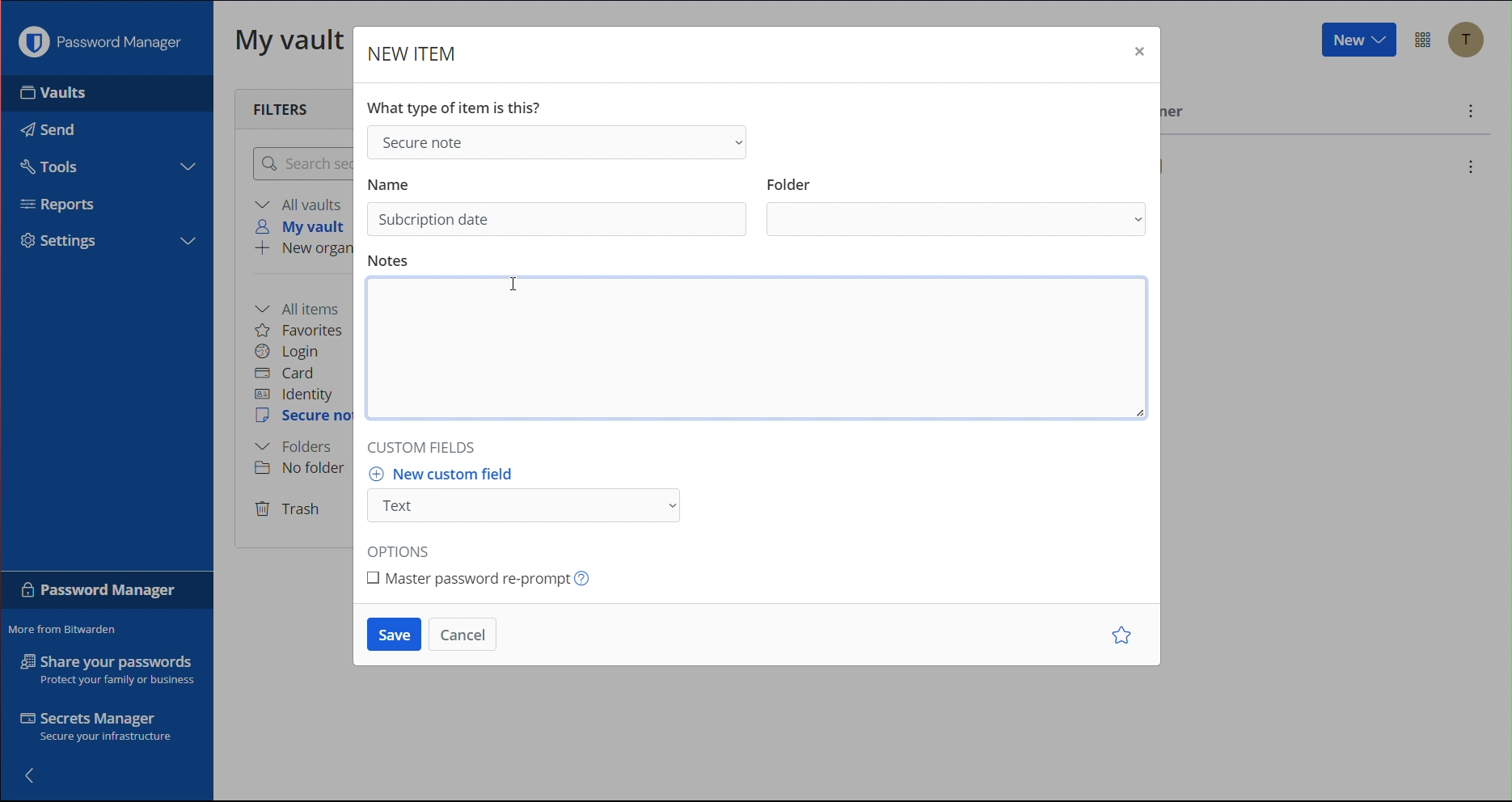 This screenshot has height=802, width=1512. I want to click on Settings, so click(66, 241).